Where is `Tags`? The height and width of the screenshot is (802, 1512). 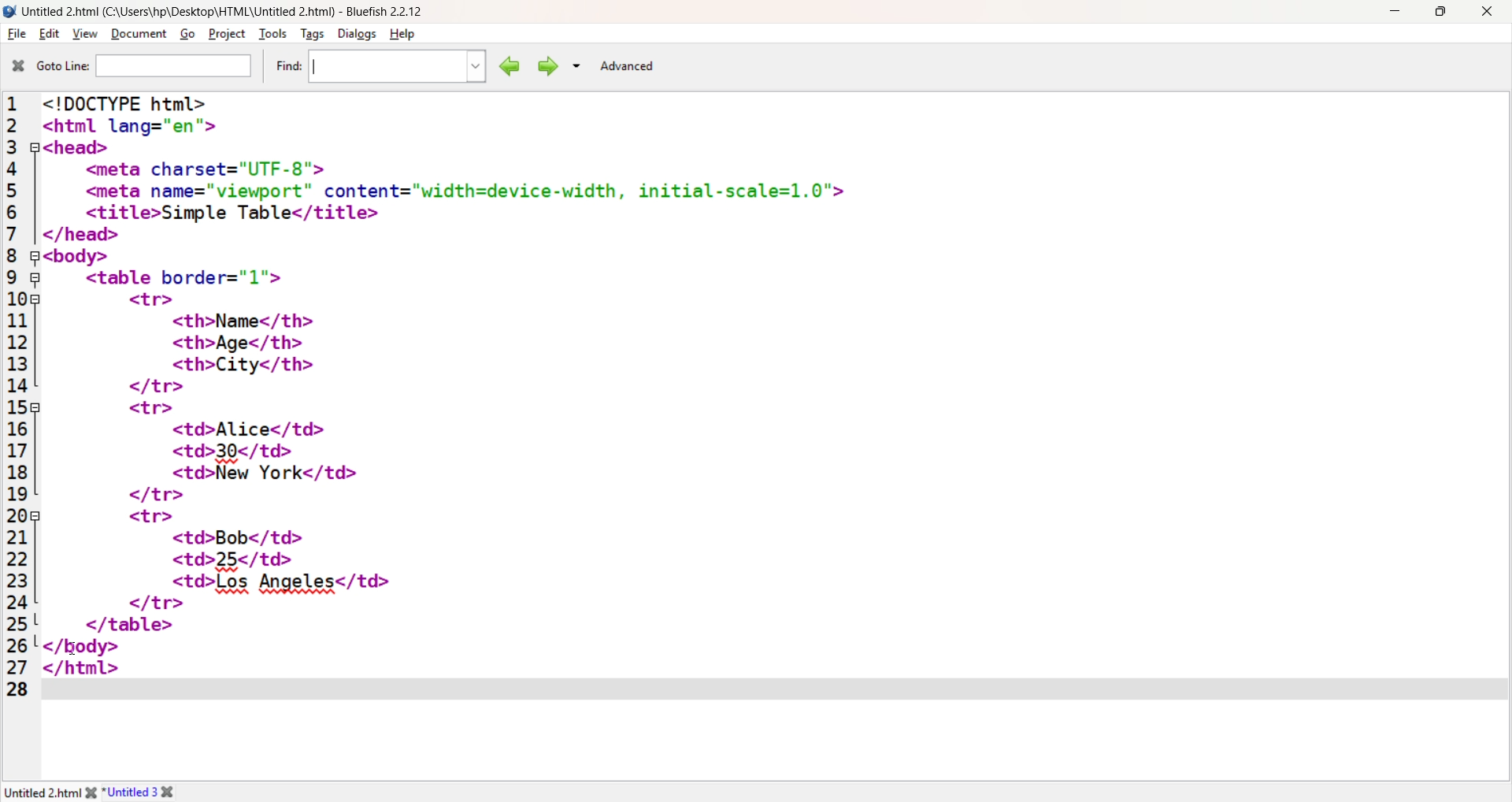 Tags is located at coordinates (310, 34).